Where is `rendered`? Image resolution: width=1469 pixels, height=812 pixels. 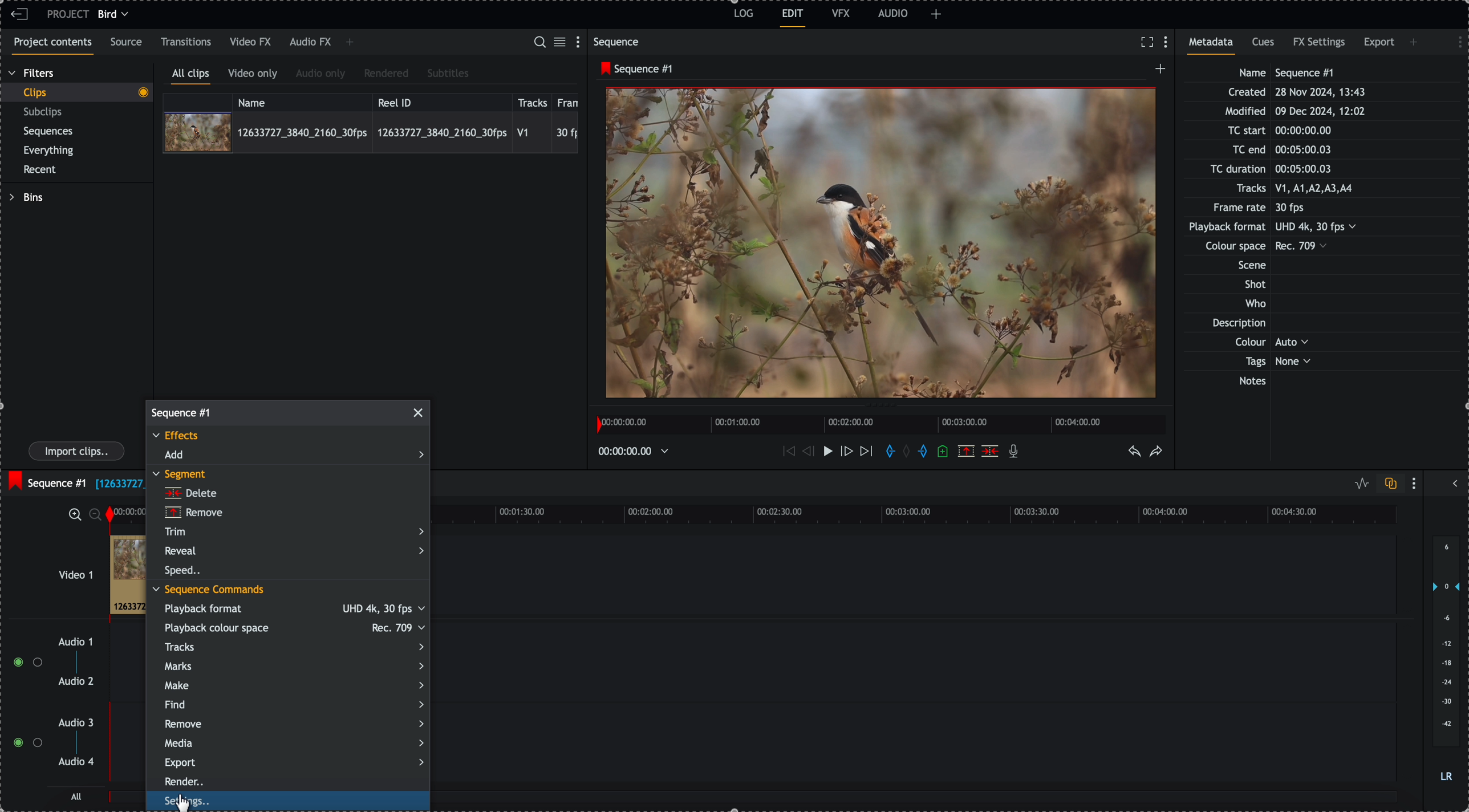
rendered is located at coordinates (386, 74).